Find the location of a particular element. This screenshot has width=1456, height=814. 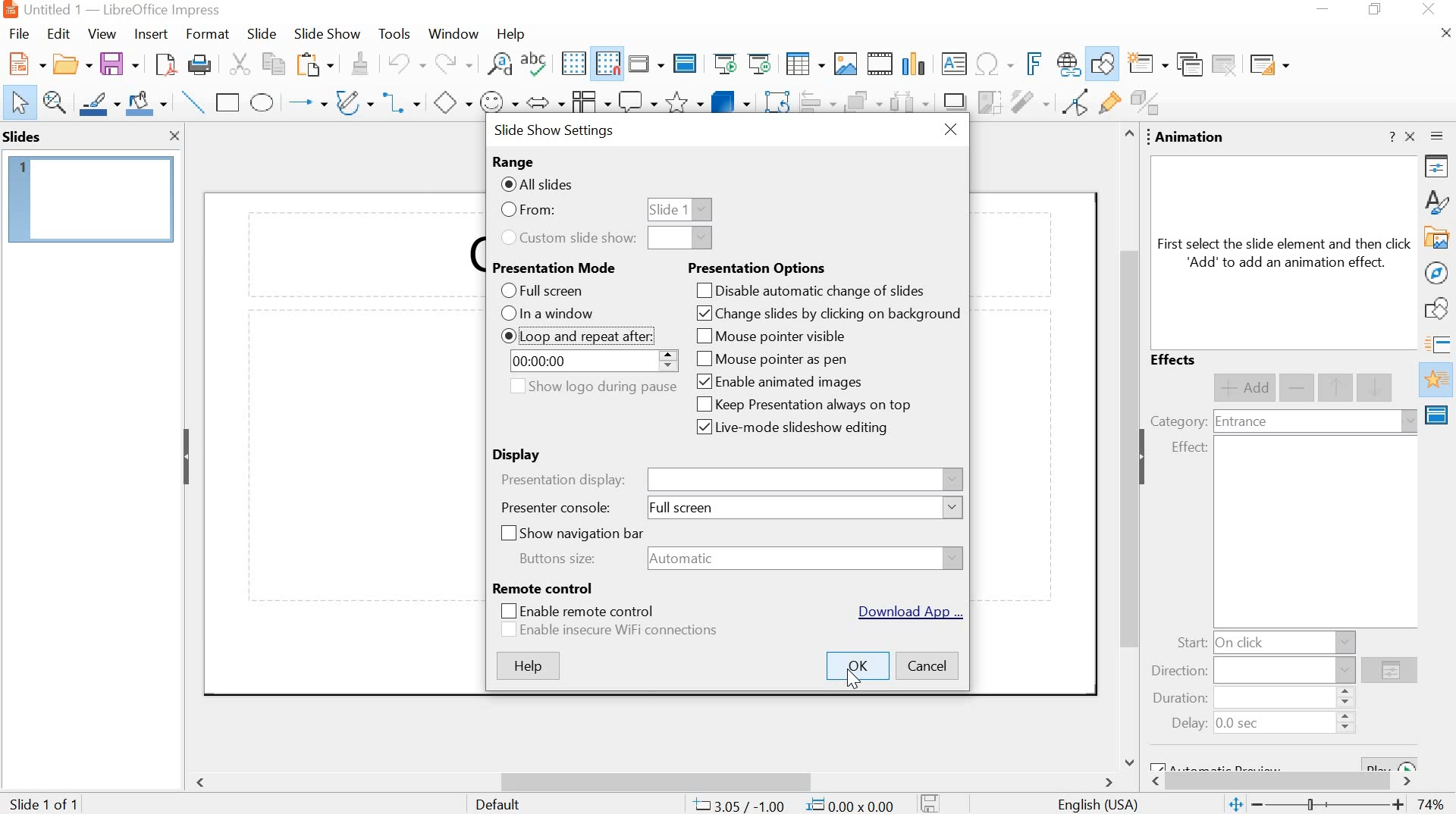

insert video is located at coordinates (880, 64).